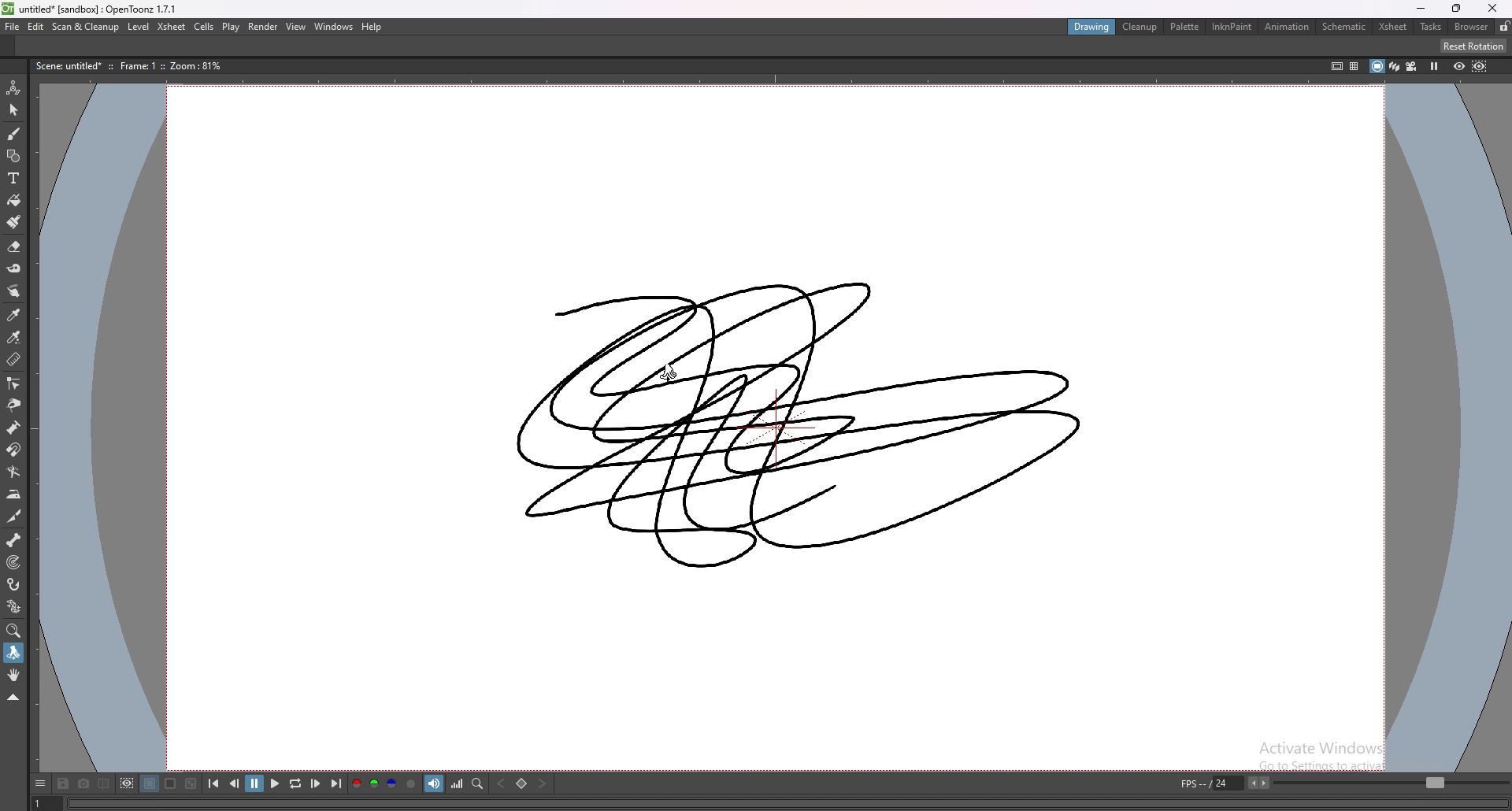 This screenshot has height=811, width=1512. Describe the element at coordinates (501, 783) in the screenshot. I see `previous key` at that location.